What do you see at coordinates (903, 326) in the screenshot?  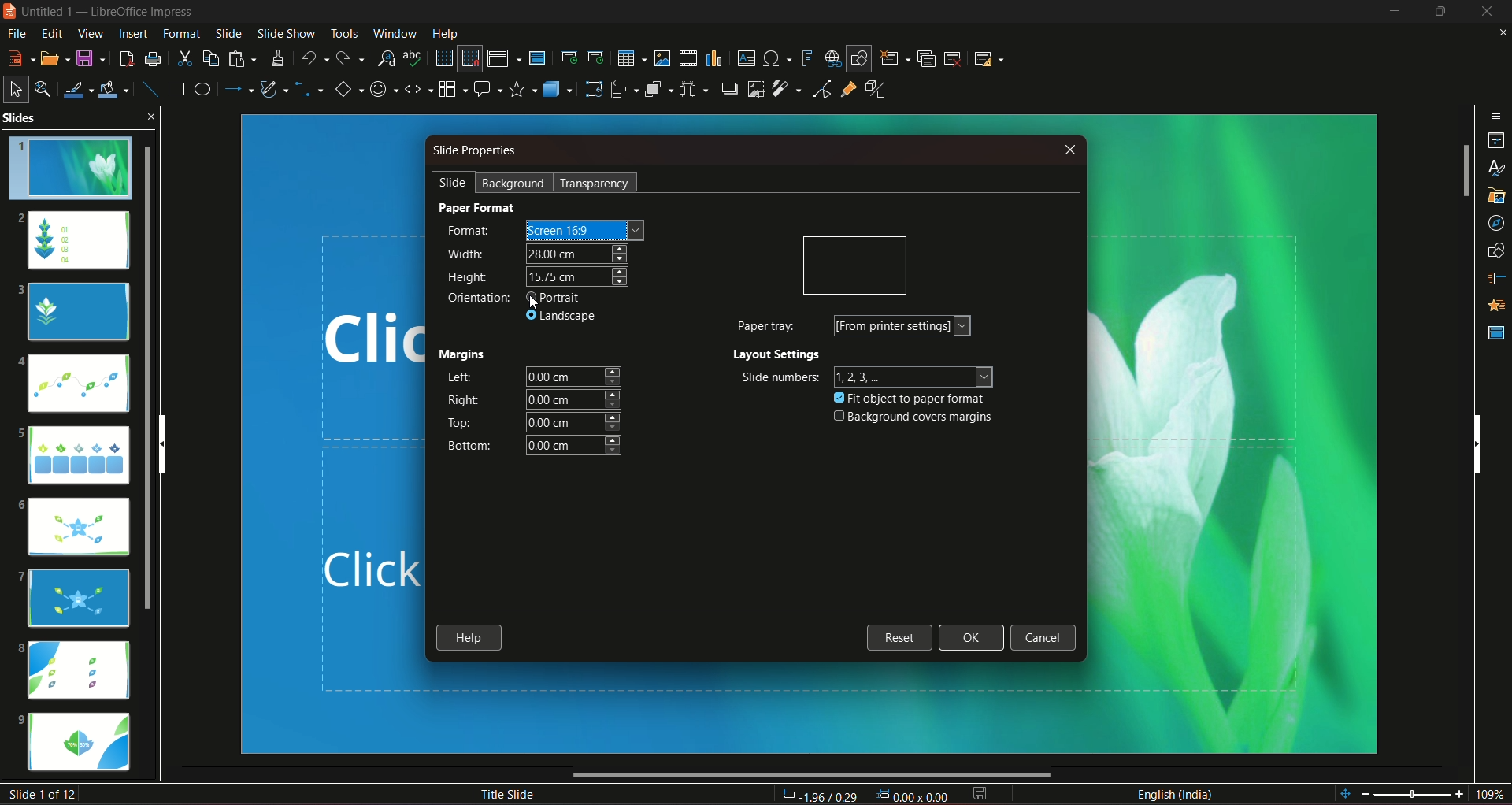 I see `form printer settings` at bounding box center [903, 326].